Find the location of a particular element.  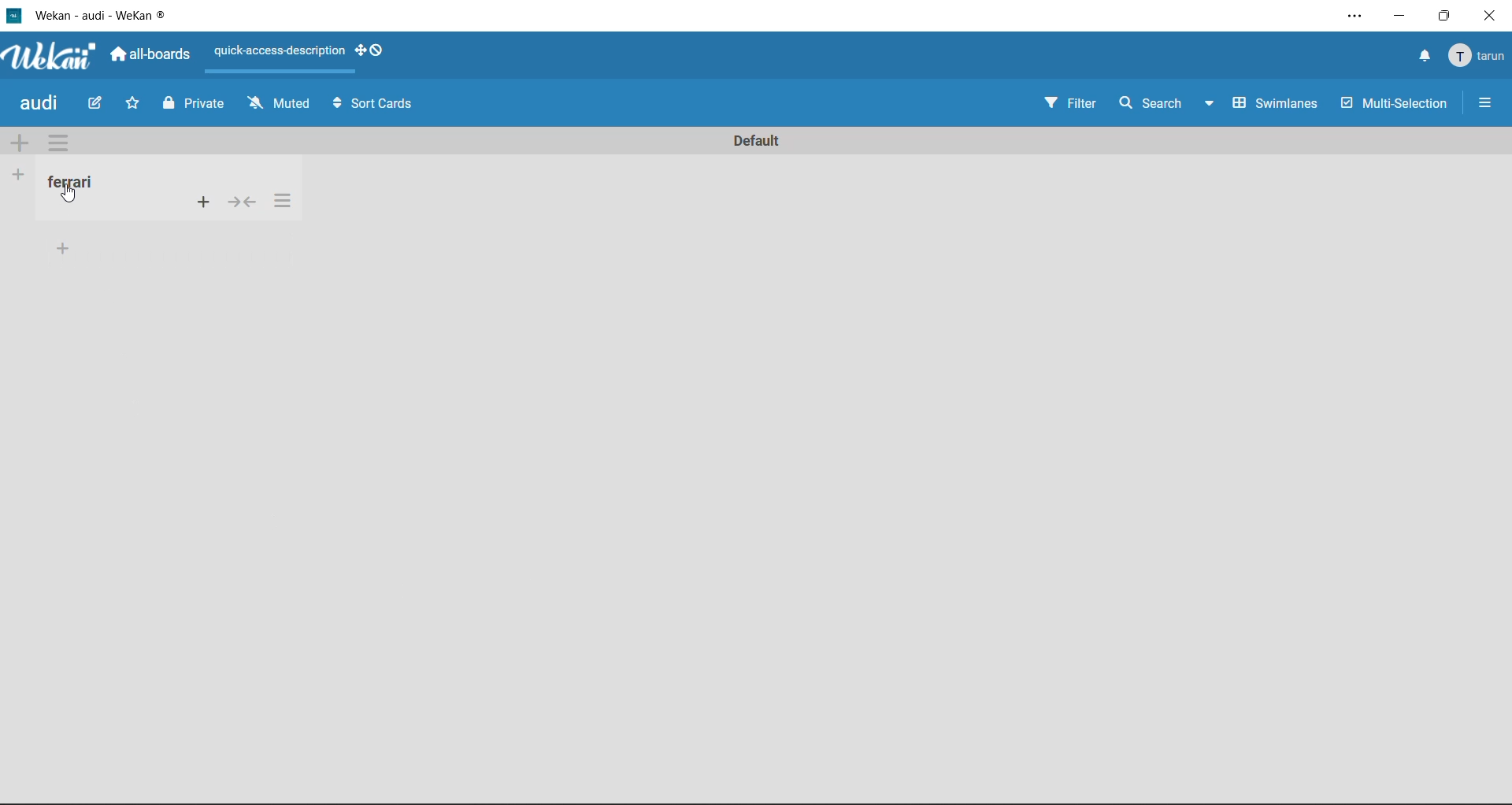

Search is located at coordinates (1147, 102).